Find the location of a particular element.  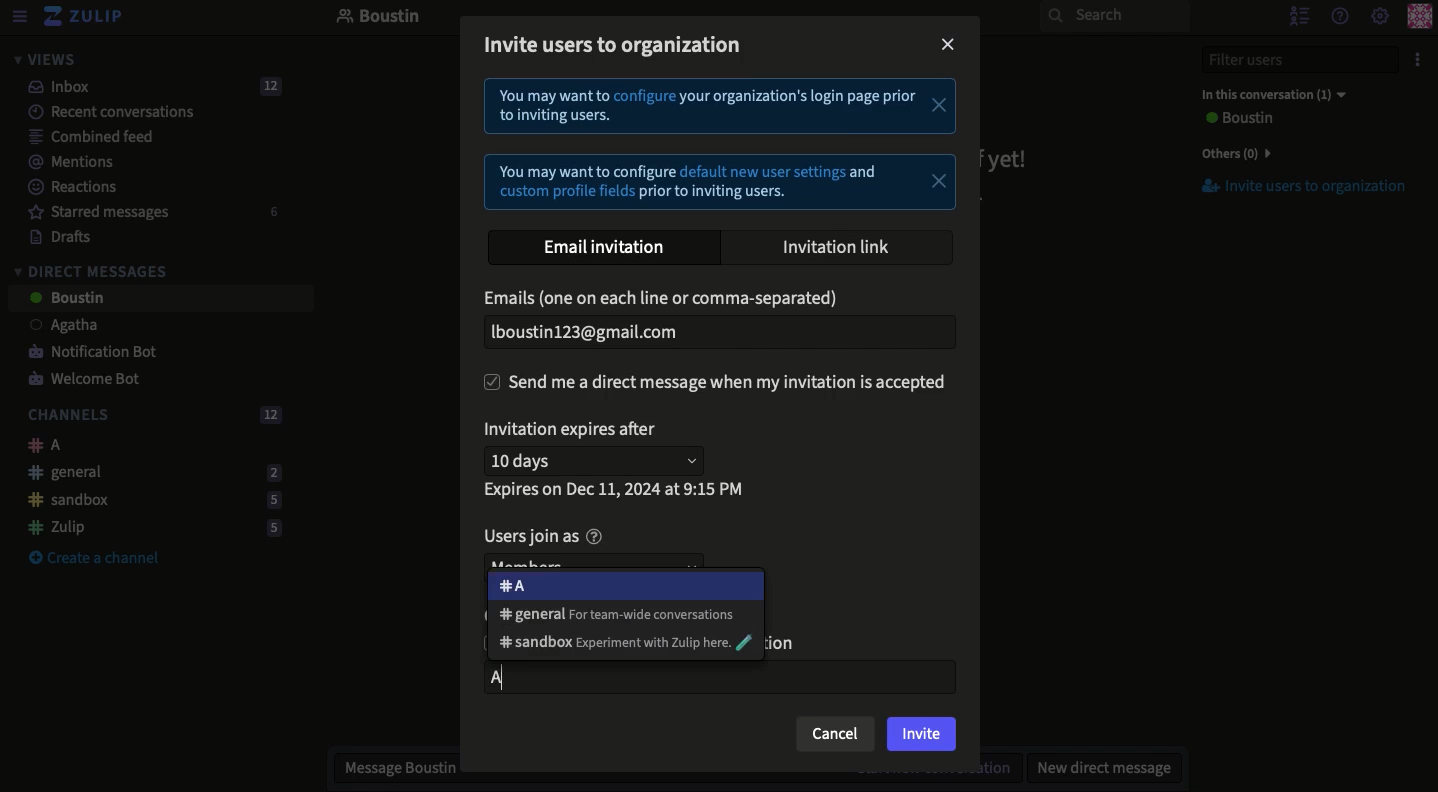

Expires on data is located at coordinates (616, 489).